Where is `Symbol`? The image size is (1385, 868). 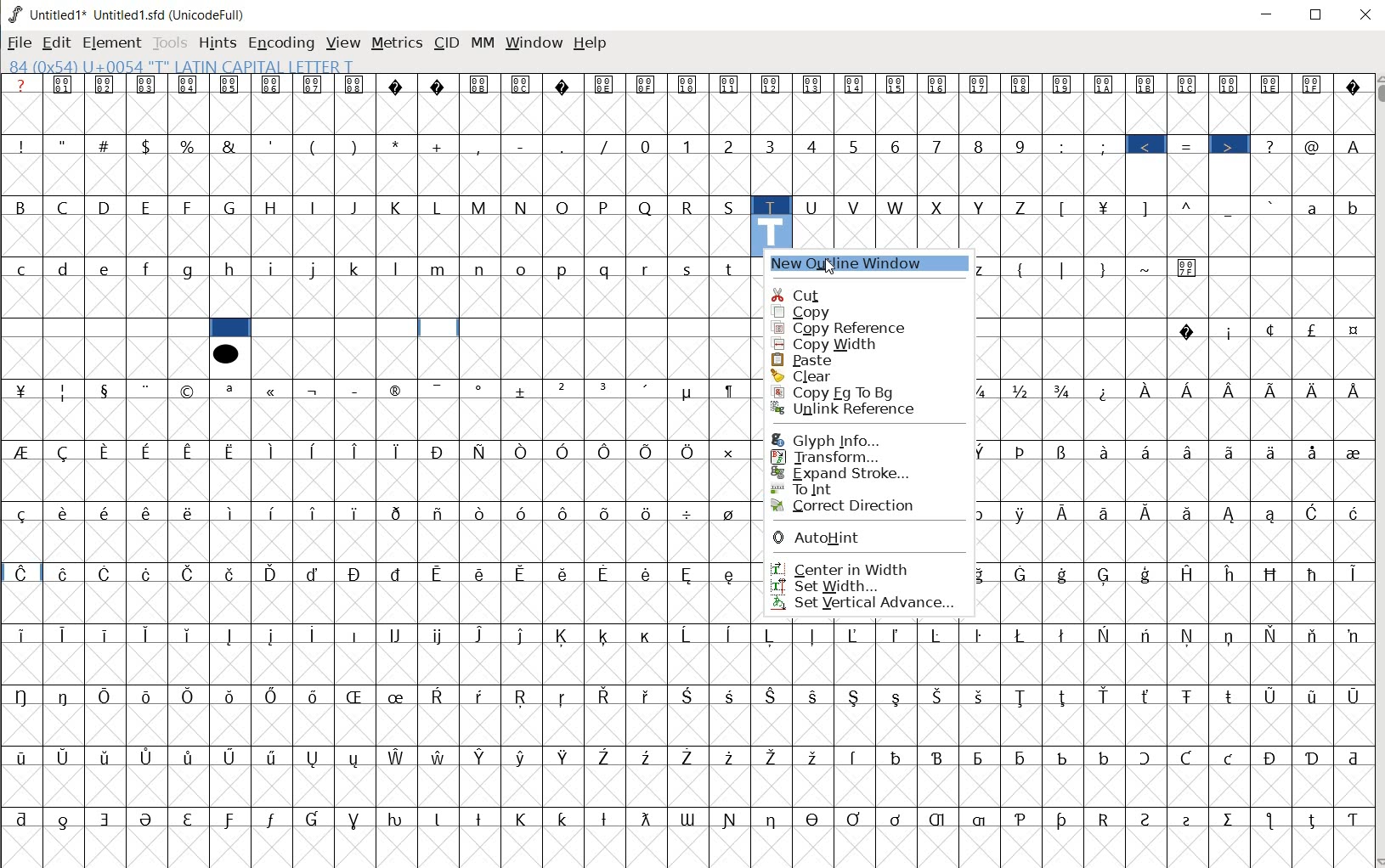
Symbol is located at coordinates (274, 636).